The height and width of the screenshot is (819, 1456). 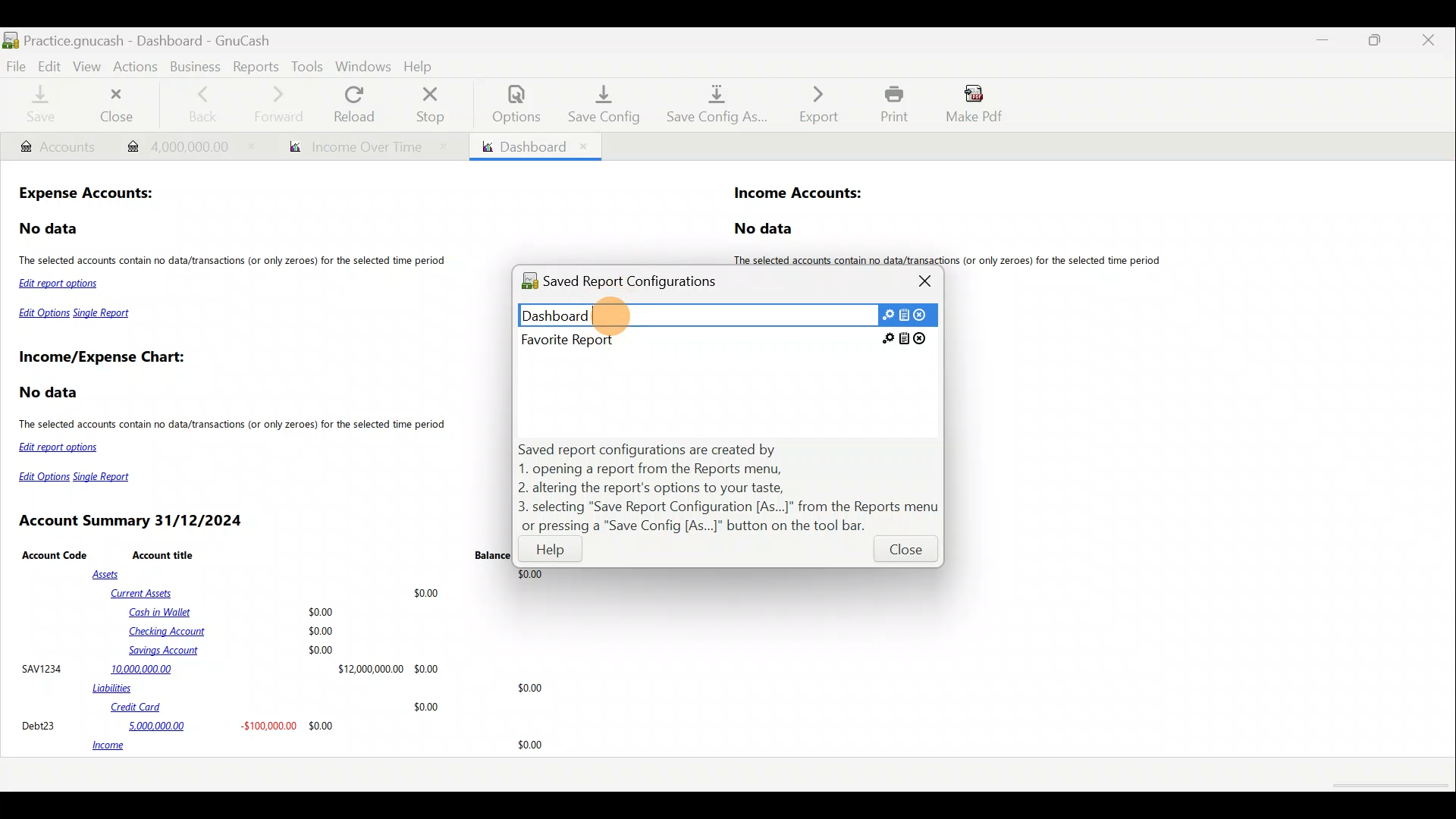 I want to click on Edit Options Single Report, so click(x=76, y=316).